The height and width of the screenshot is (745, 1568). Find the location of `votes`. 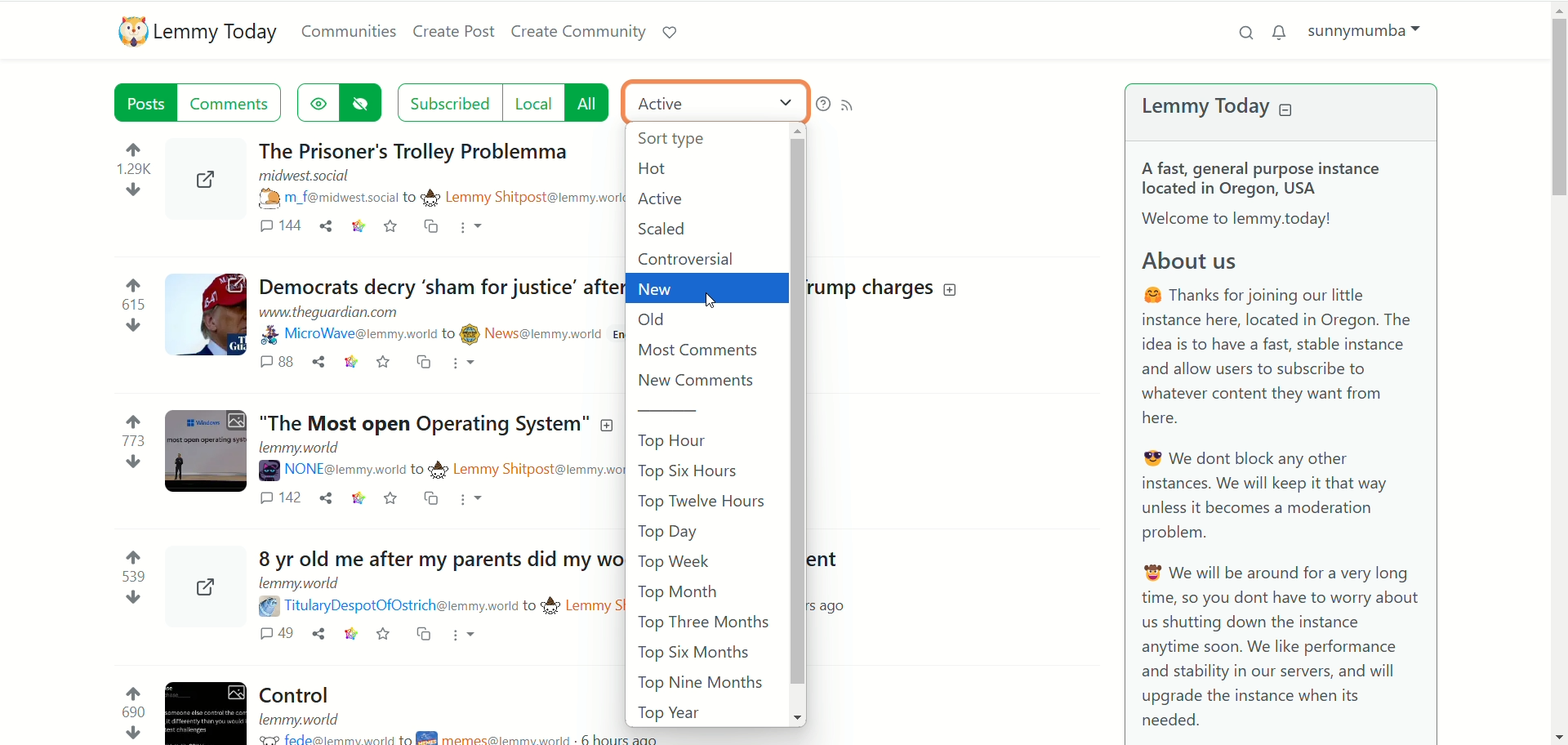

votes is located at coordinates (125, 444).